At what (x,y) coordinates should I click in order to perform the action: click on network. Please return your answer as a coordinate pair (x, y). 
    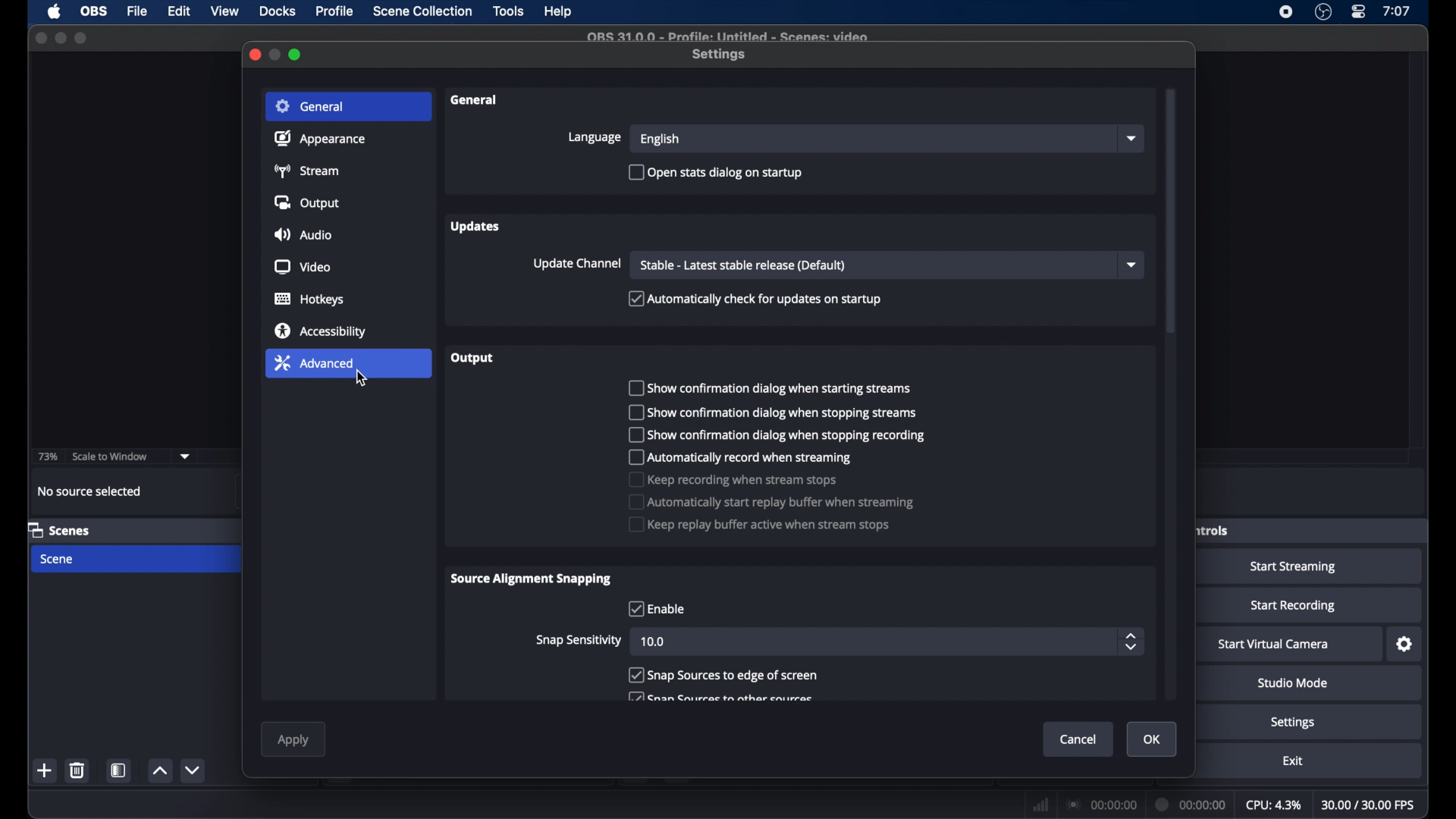
    Looking at the image, I should click on (1041, 803).